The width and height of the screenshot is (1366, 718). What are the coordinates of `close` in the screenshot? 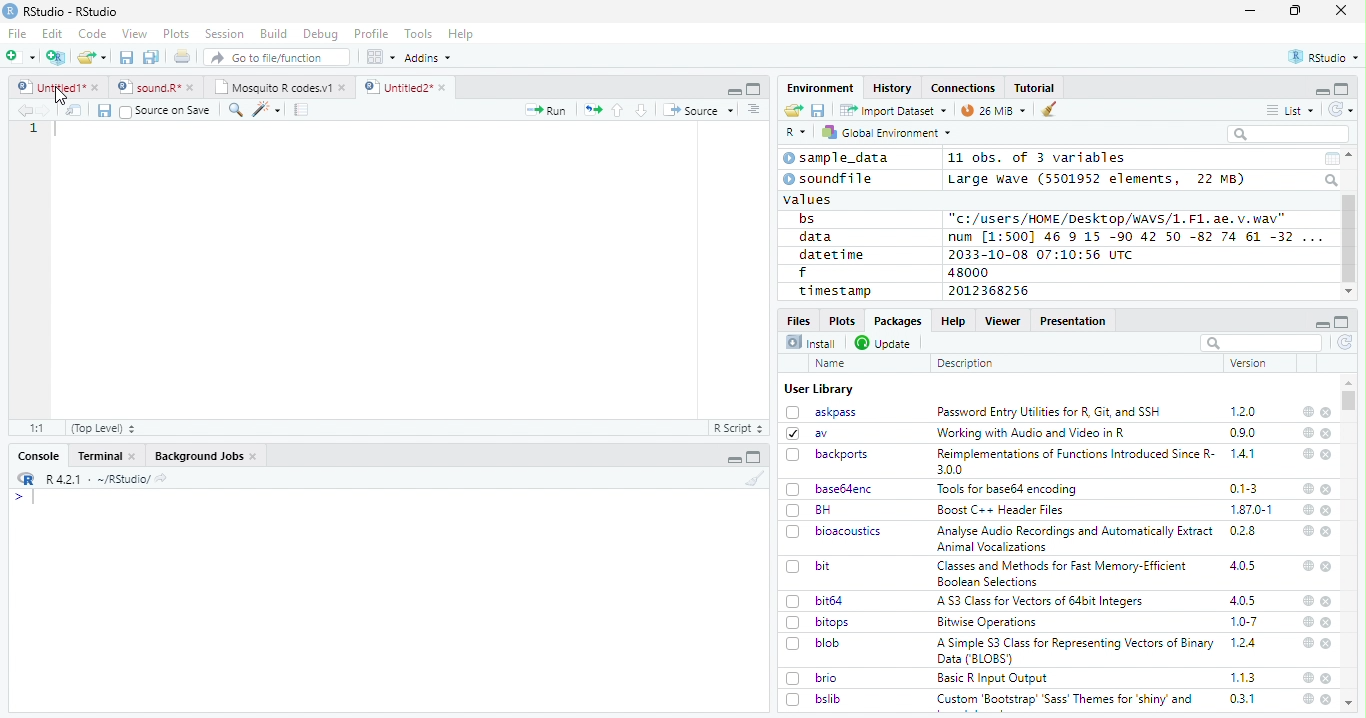 It's located at (1326, 489).